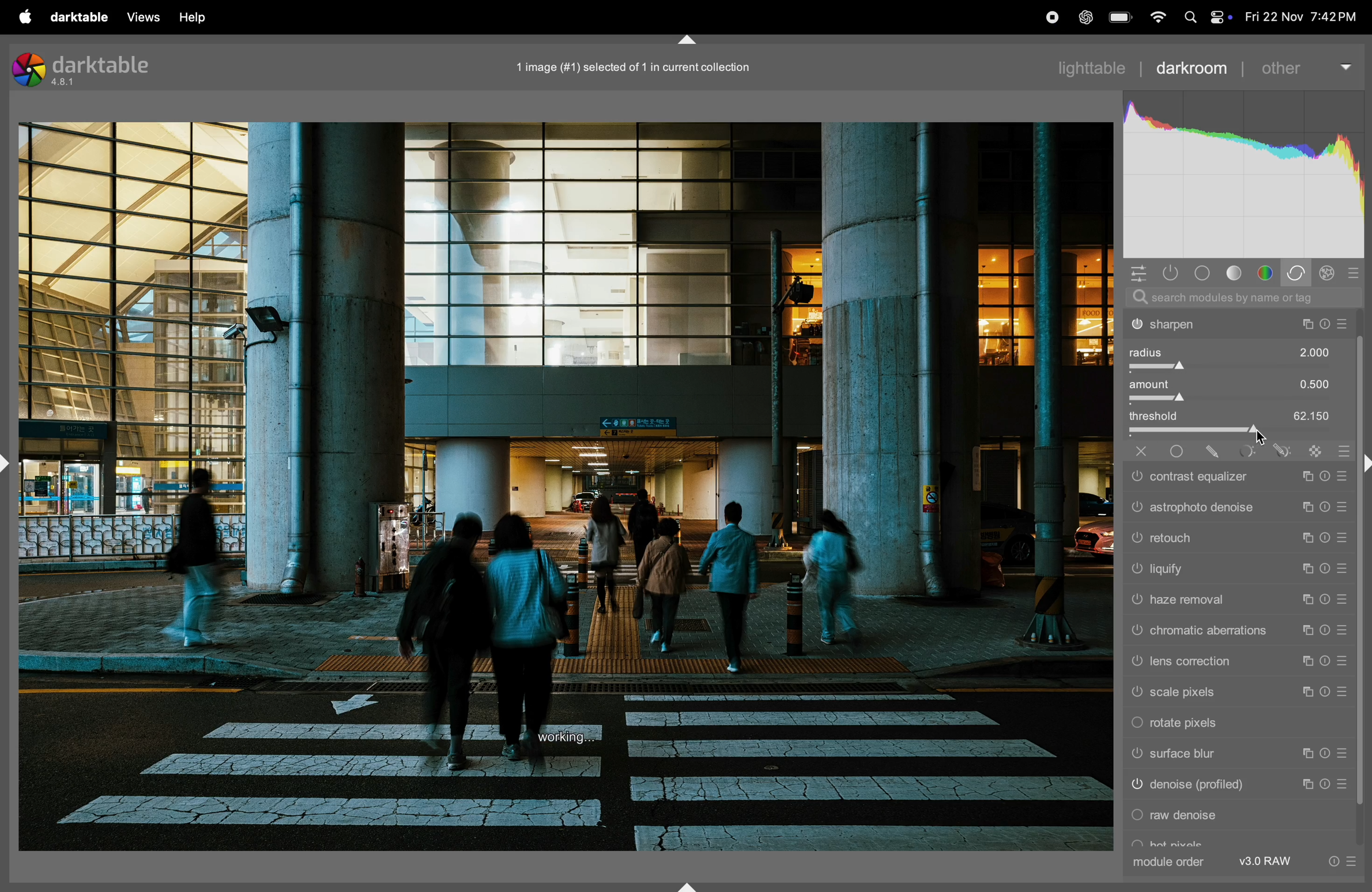 The image size is (1372, 892). I want to click on v 3 raw, so click(1269, 861).